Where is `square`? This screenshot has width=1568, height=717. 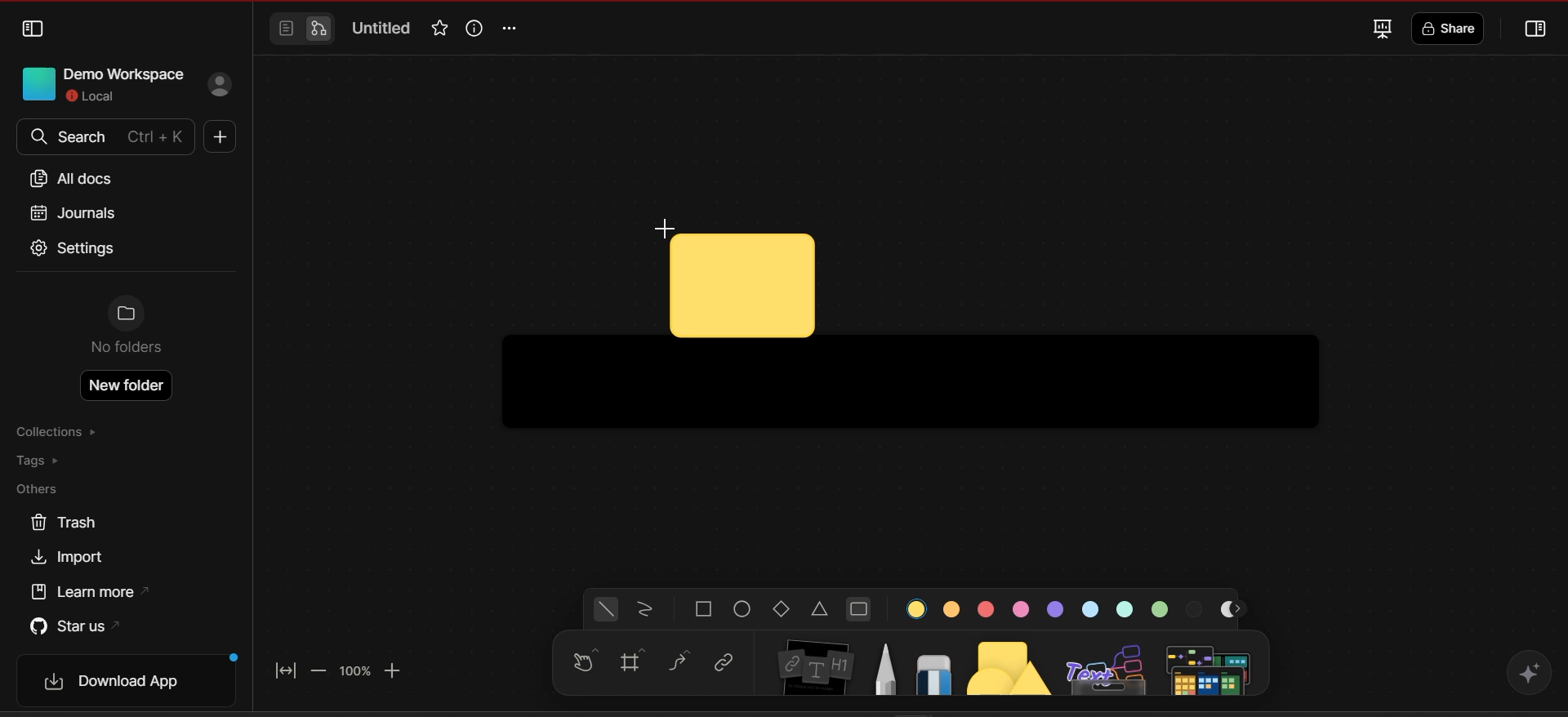 square is located at coordinates (704, 609).